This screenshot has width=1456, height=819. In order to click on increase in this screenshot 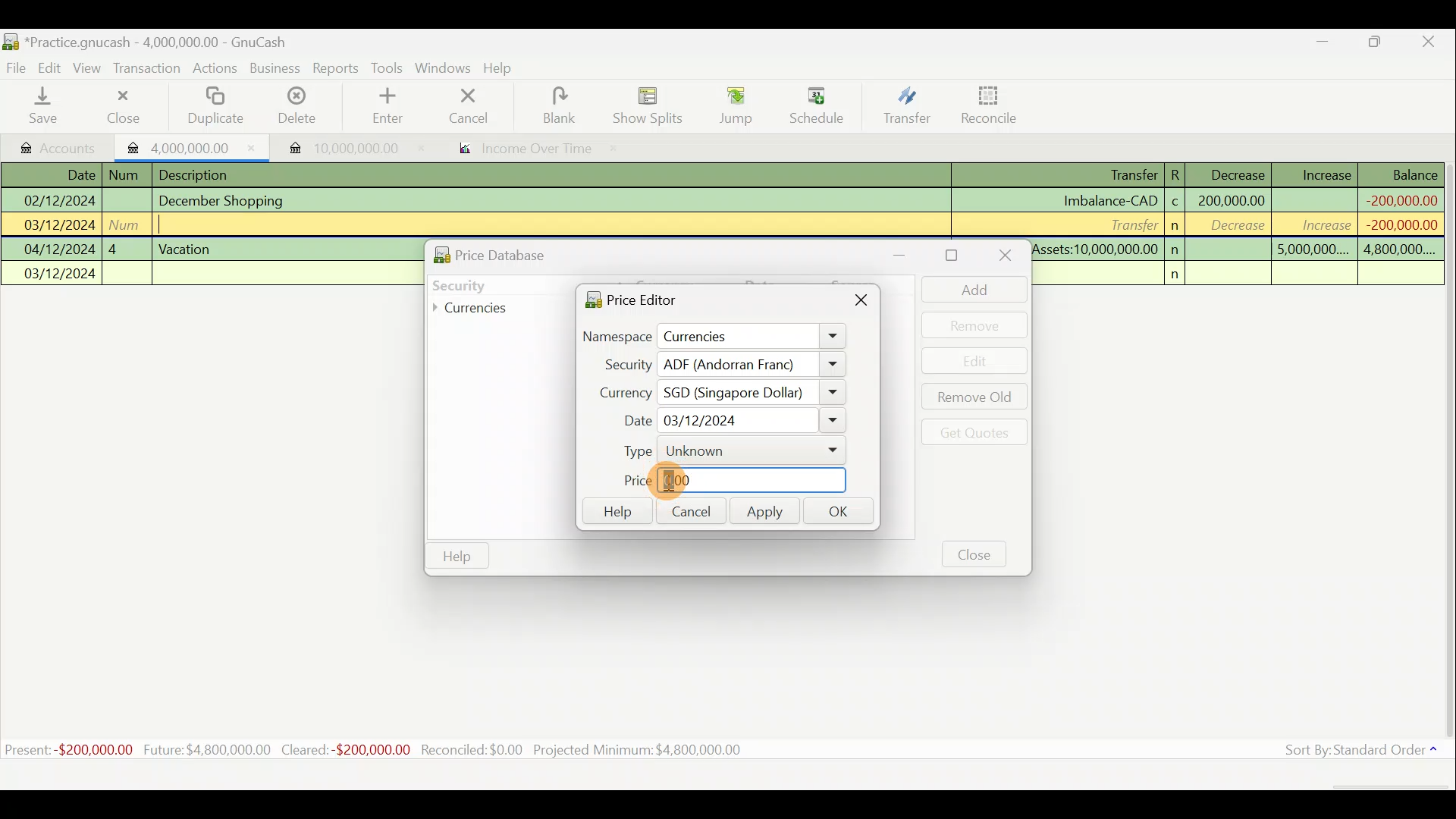, I will do `click(1317, 224)`.